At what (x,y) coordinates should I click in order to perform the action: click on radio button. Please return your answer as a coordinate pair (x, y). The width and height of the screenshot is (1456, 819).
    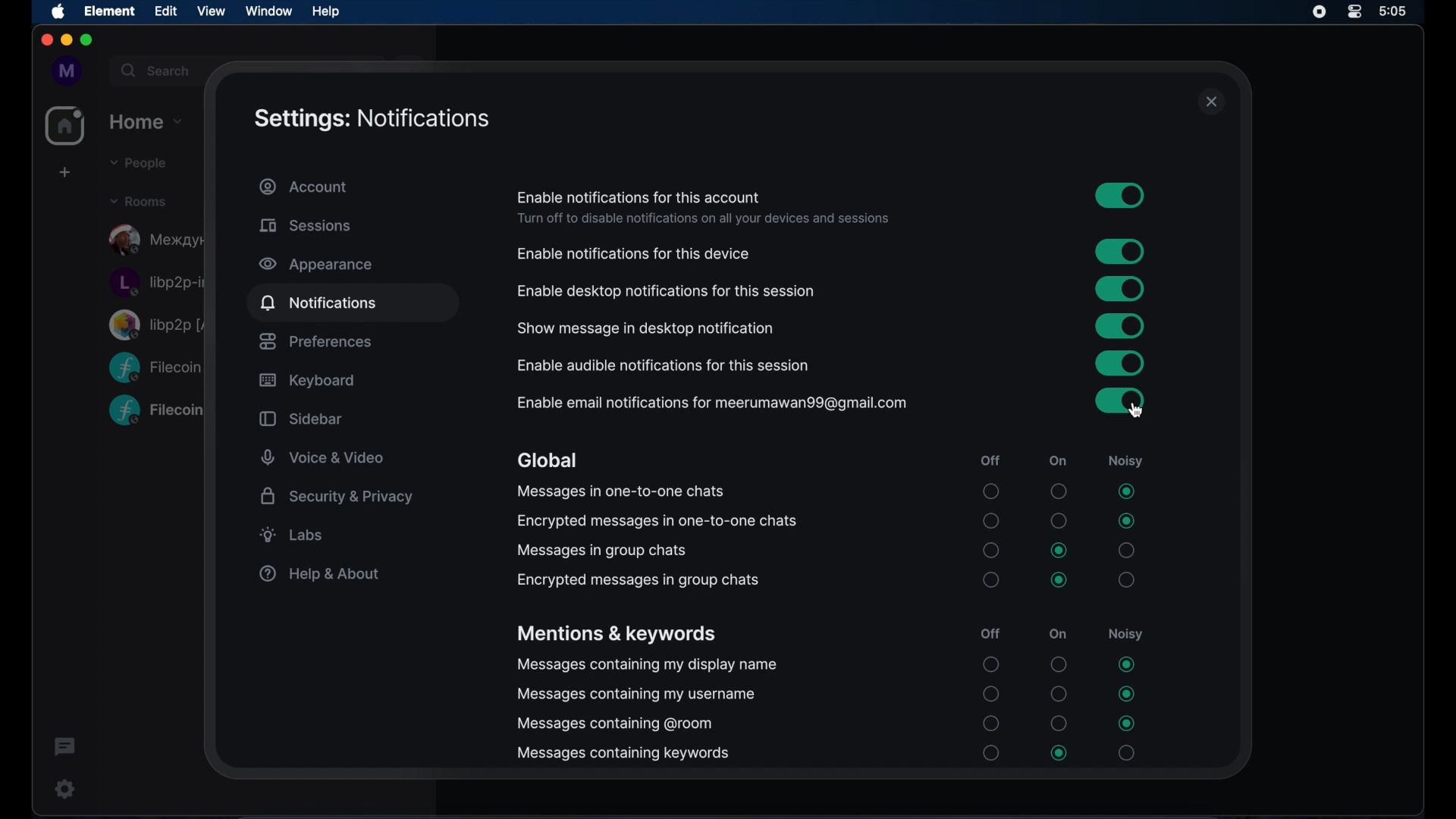
    Looking at the image, I should click on (1059, 580).